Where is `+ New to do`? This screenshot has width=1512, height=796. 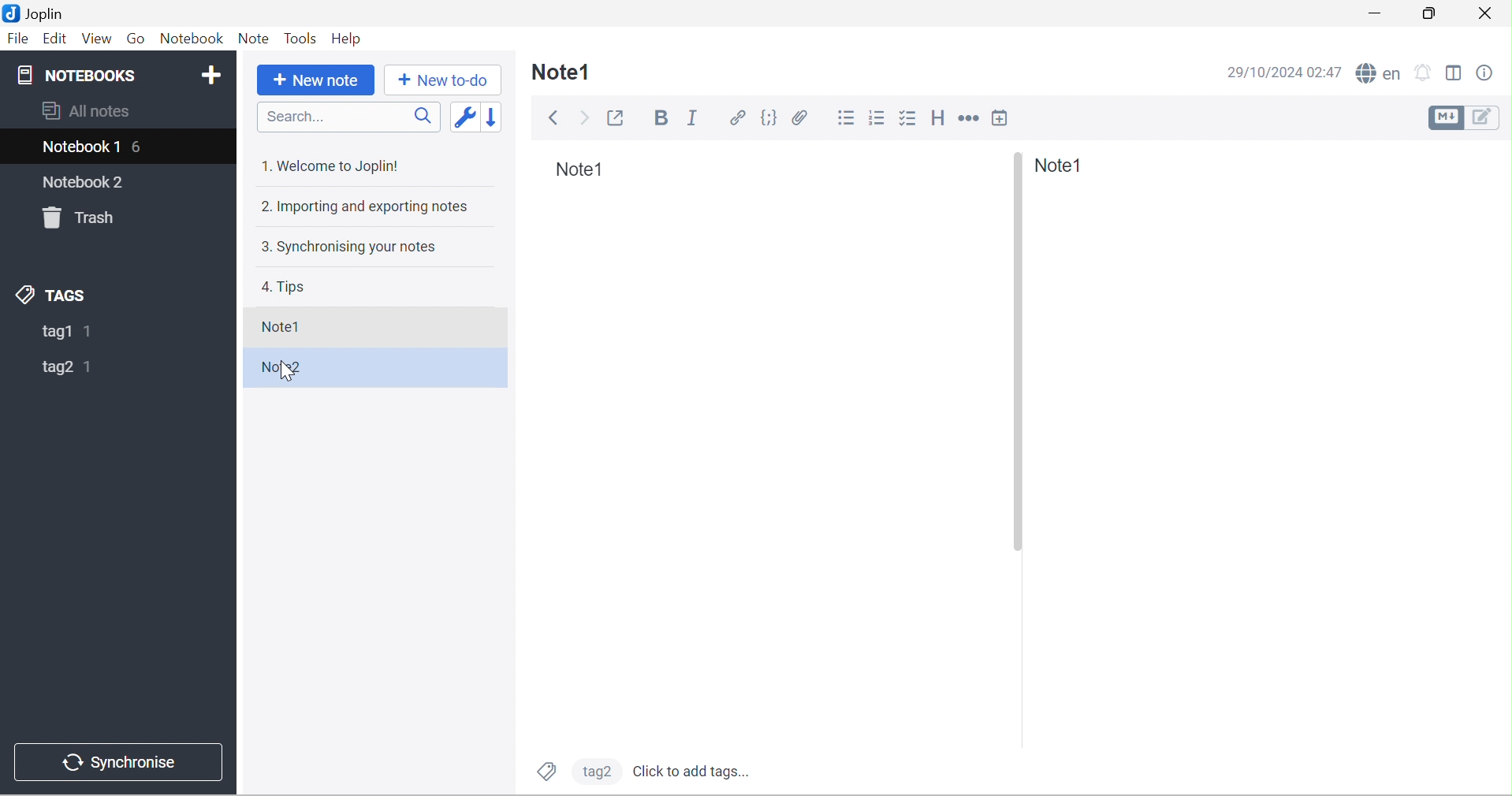 + New to do is located at coordinates (443, 82).